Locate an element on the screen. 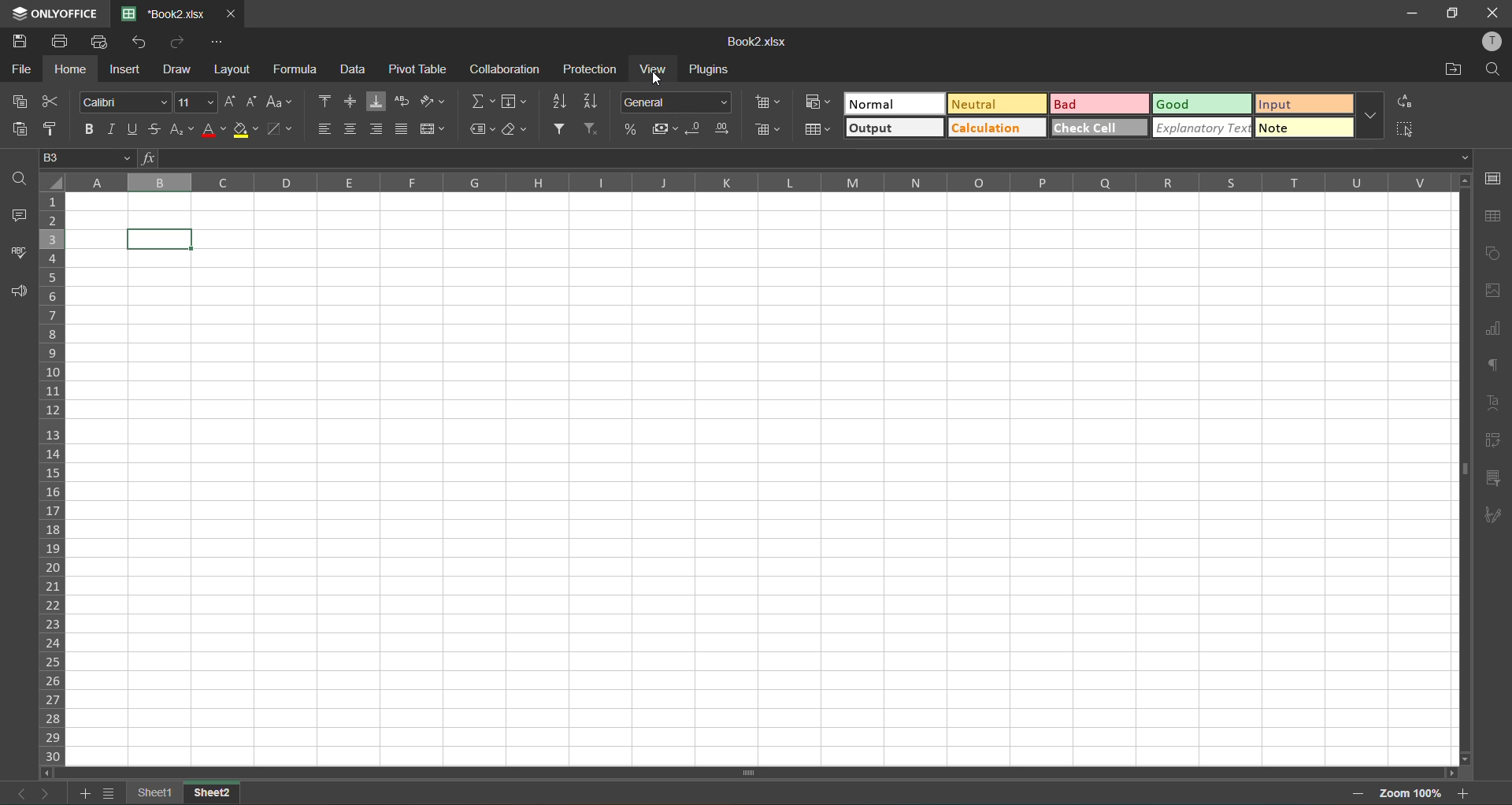 This screenshot has width=1512, height=805. maximize is located at coordinates (1455, 14).